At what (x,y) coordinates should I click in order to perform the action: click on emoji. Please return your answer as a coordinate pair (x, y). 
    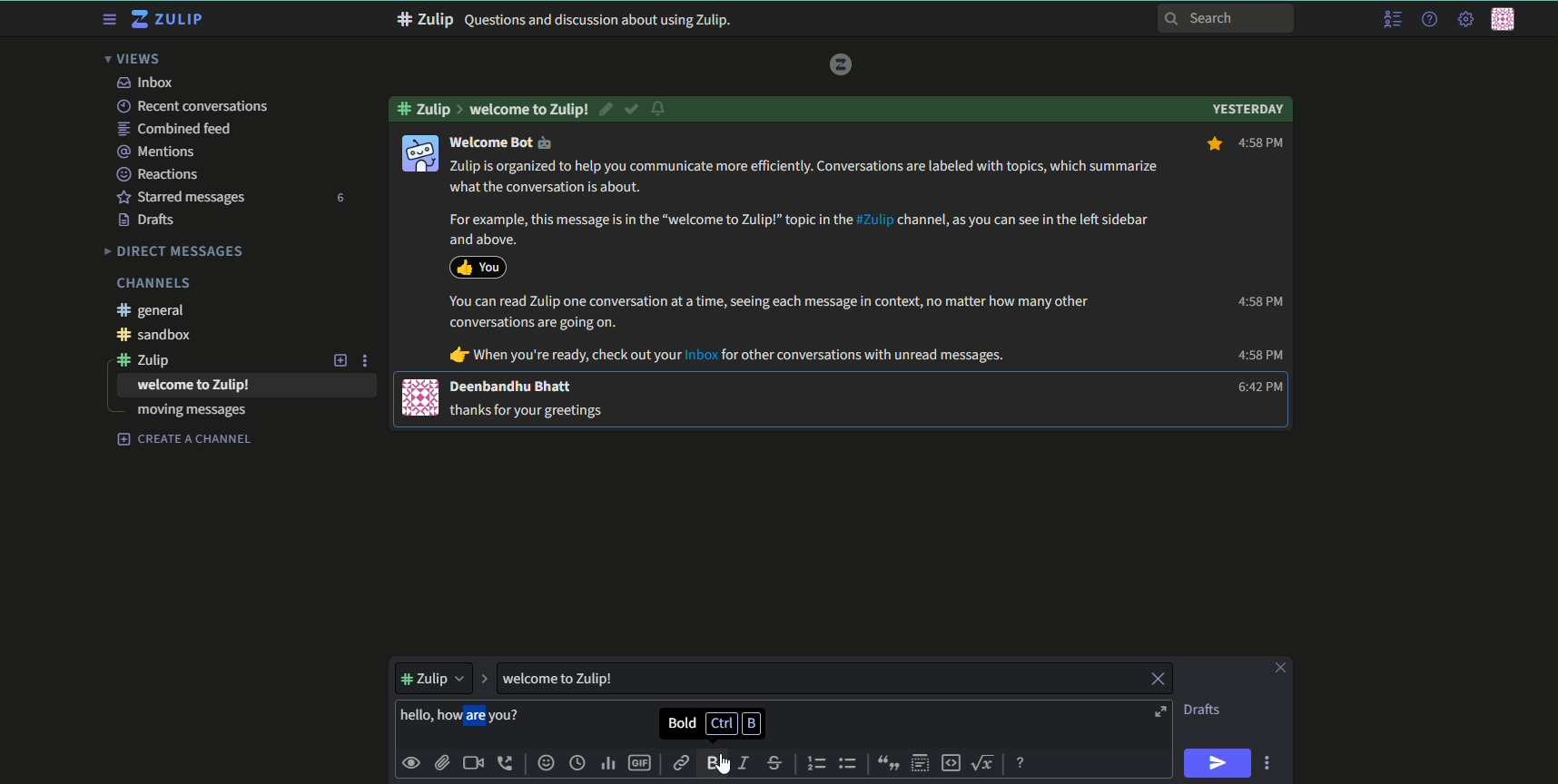
    Looking at the image, I should click on (1178, 144).